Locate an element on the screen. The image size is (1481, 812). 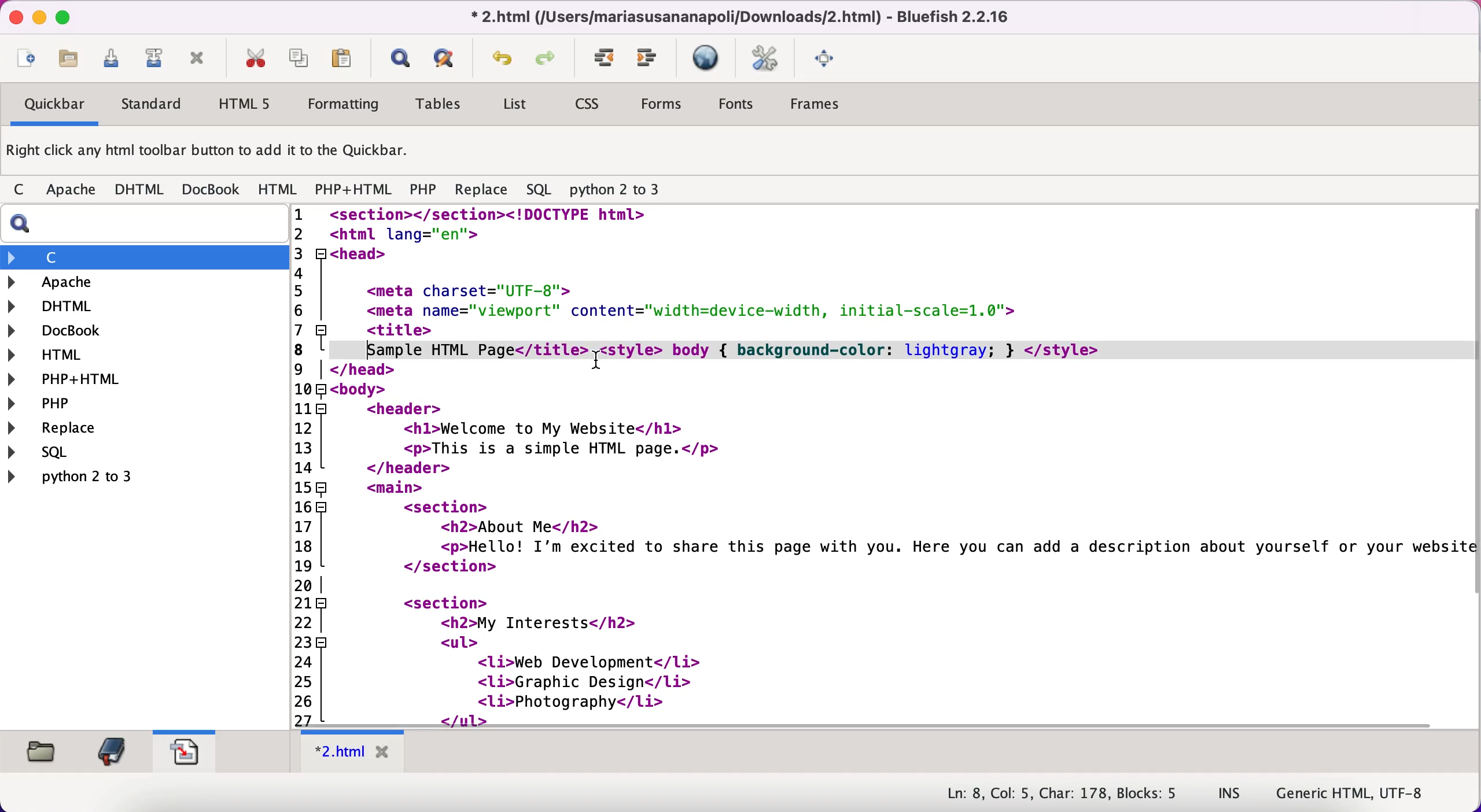
formatting is located at coordinates (344, 106).